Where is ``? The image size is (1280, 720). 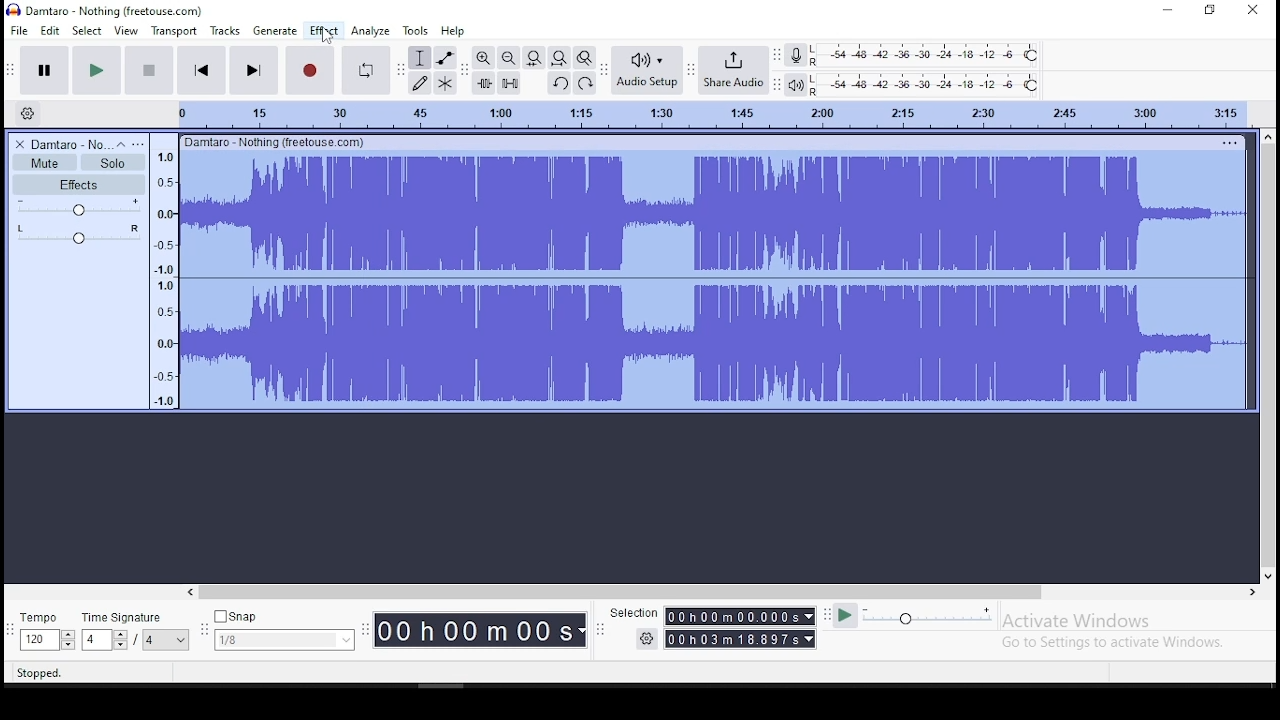
 is located at coordinates (463, 68).